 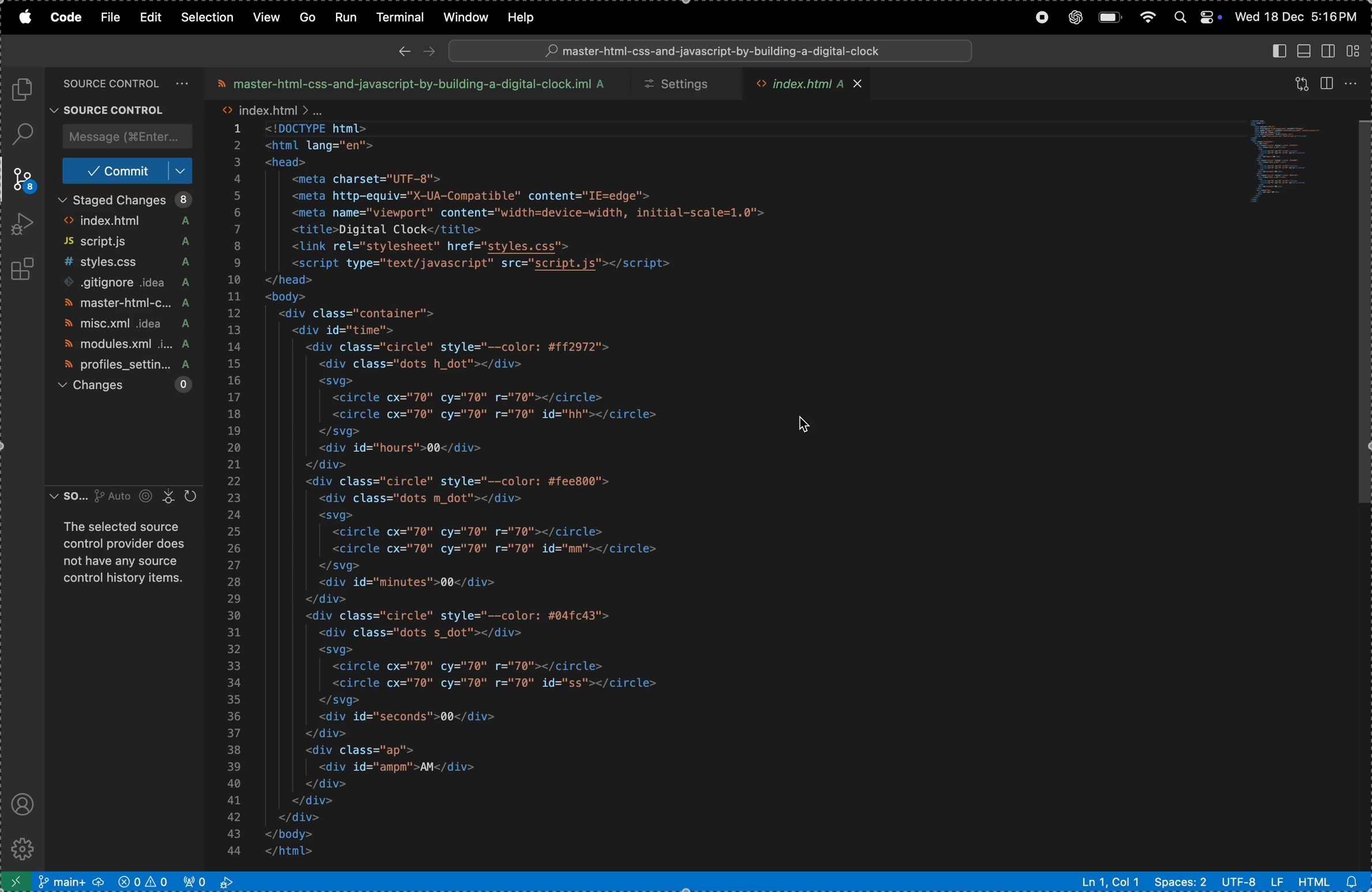 I want to click on <body>, so click(x=289, y=298).